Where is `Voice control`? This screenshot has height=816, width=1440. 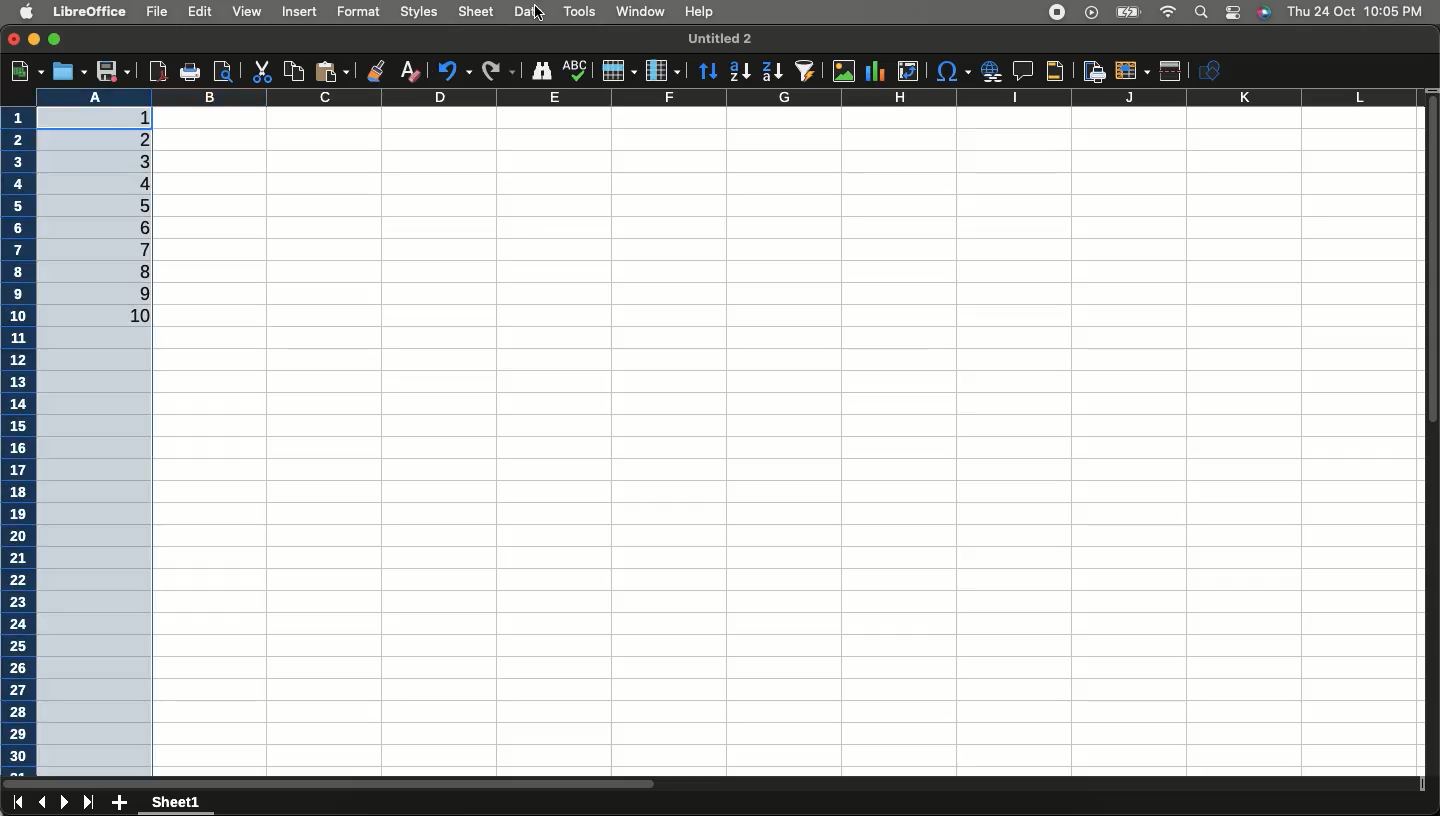 Voice control is located at coordinates (1263, 13).